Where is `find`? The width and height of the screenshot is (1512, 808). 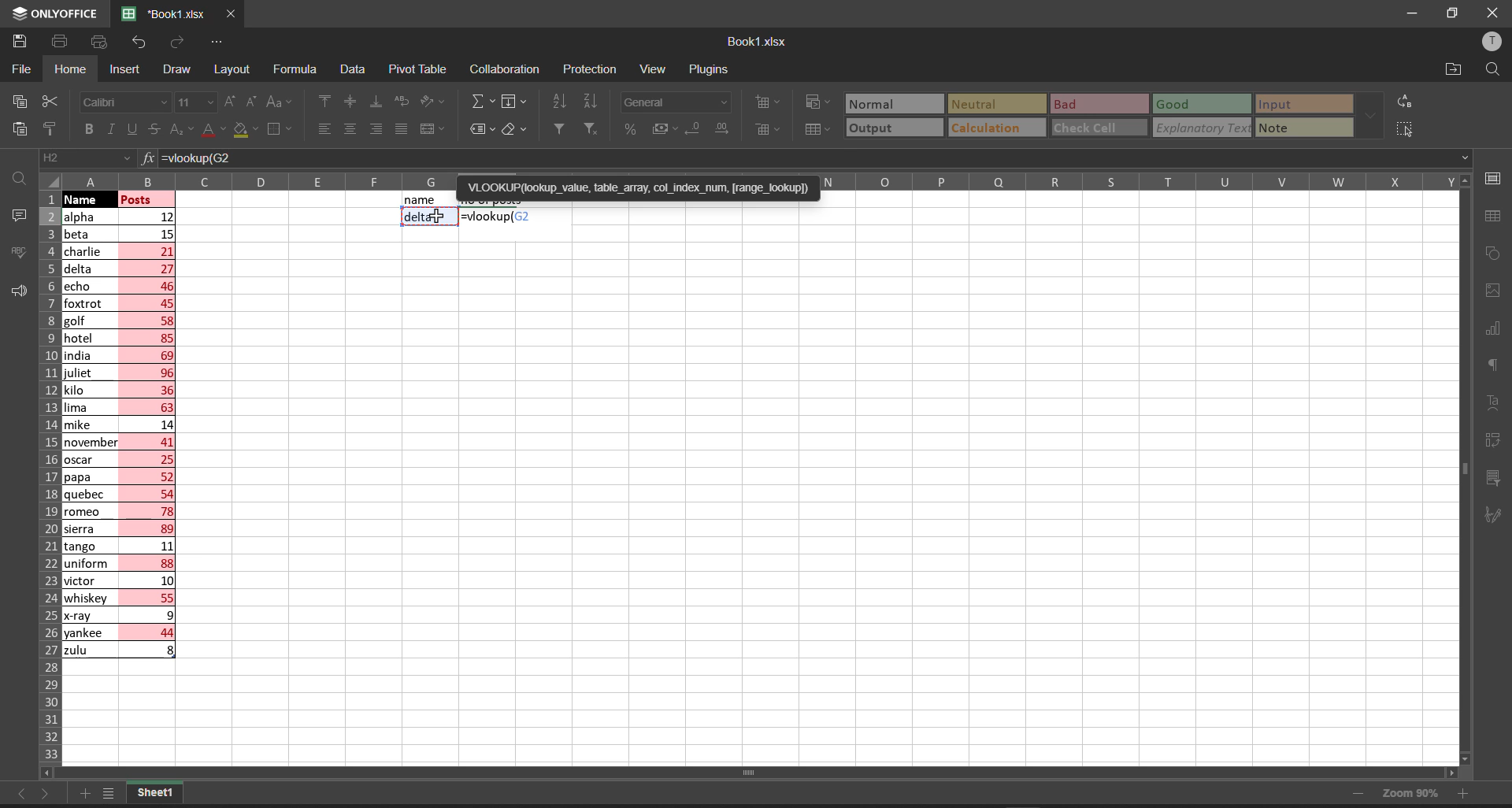
find is located at coordinates (1495, 69).